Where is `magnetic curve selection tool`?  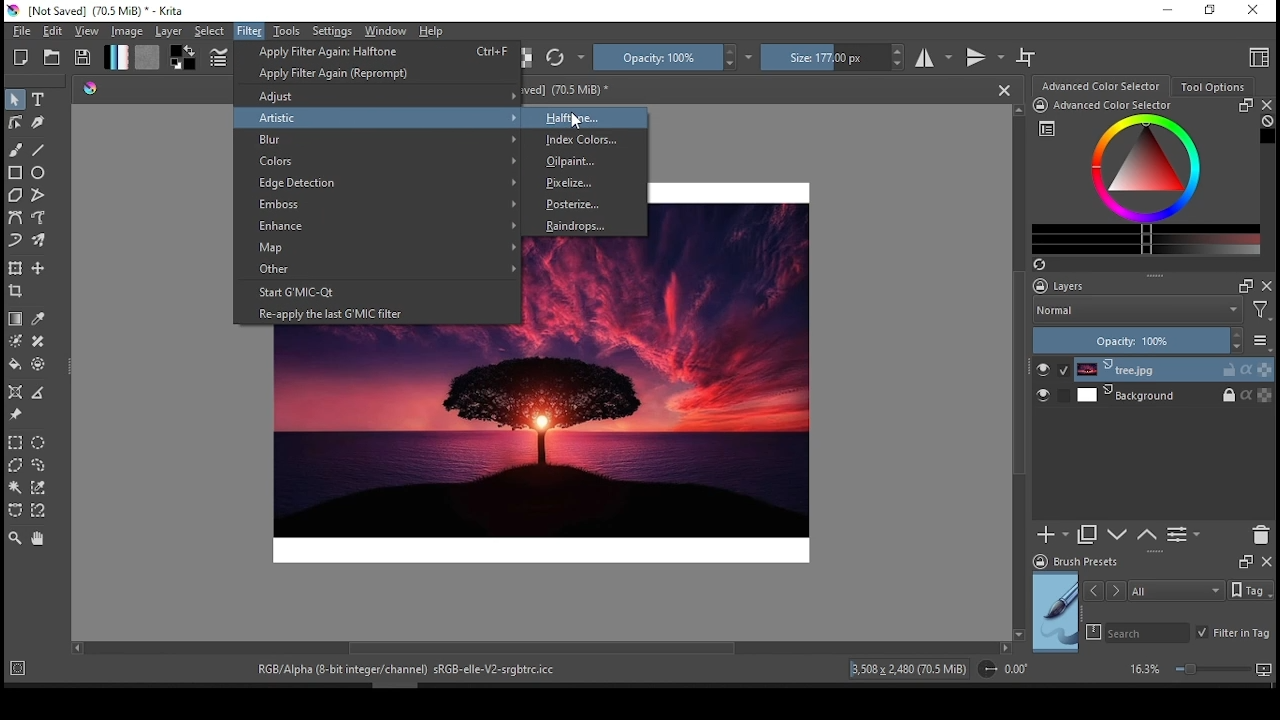 magnetic curve selection tool is located at coordinates (40, 511).